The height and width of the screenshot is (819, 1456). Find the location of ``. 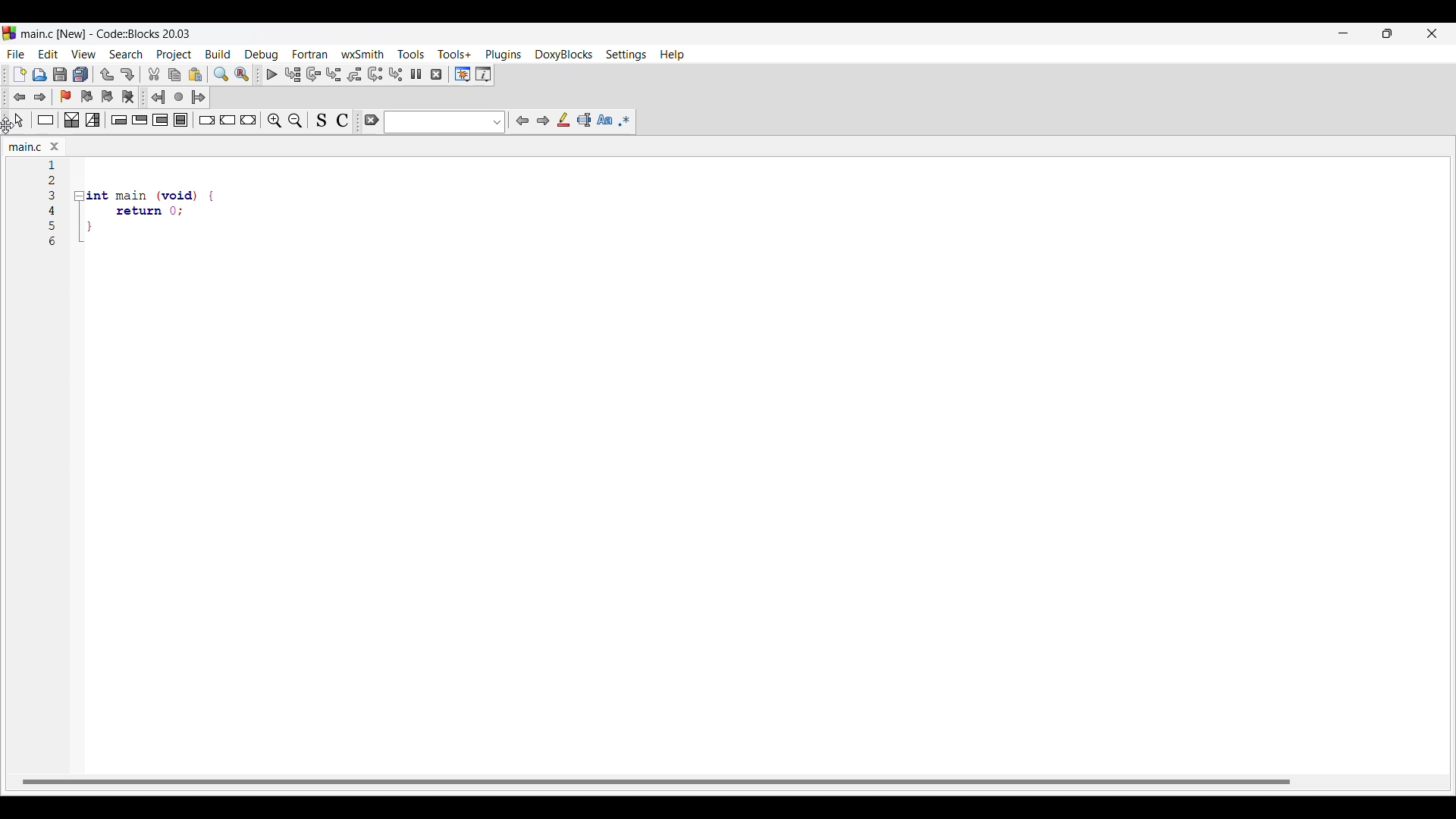

 is located at coordinates (138, 211).